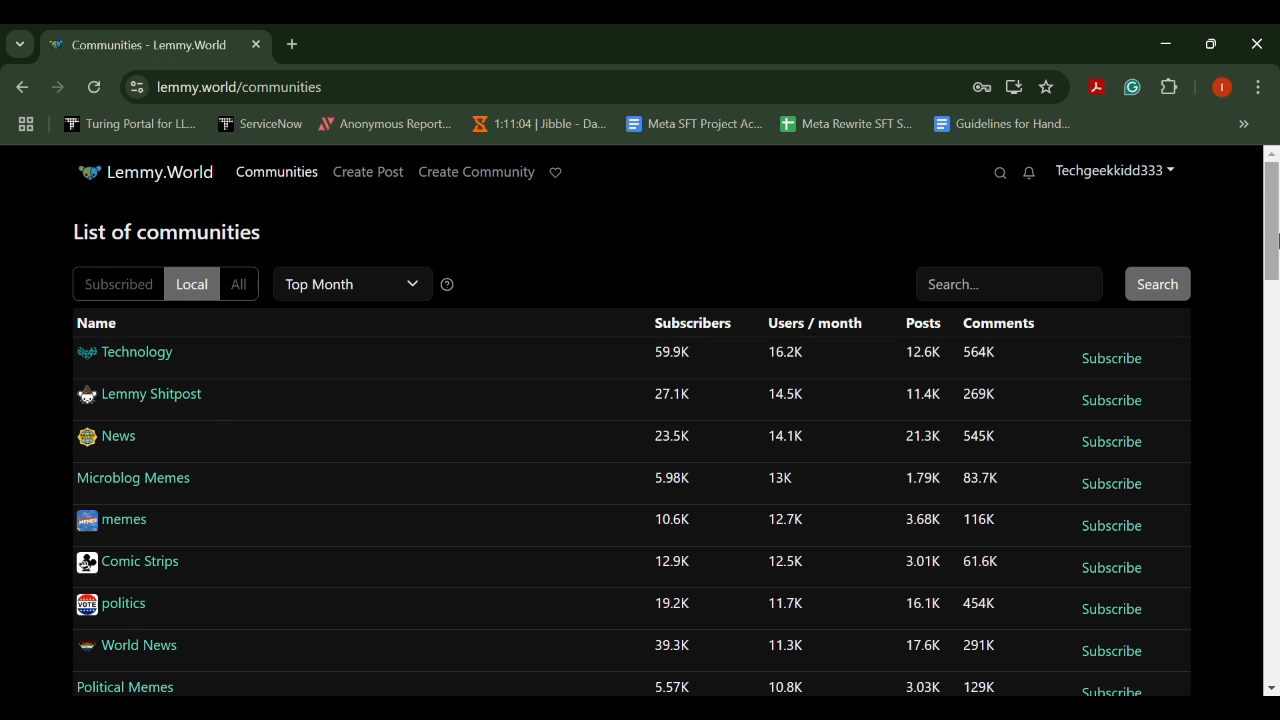  What do you see at coordinates (922, 323) in the screenshot?
I see `Posts` at bounding box center [922, 323].